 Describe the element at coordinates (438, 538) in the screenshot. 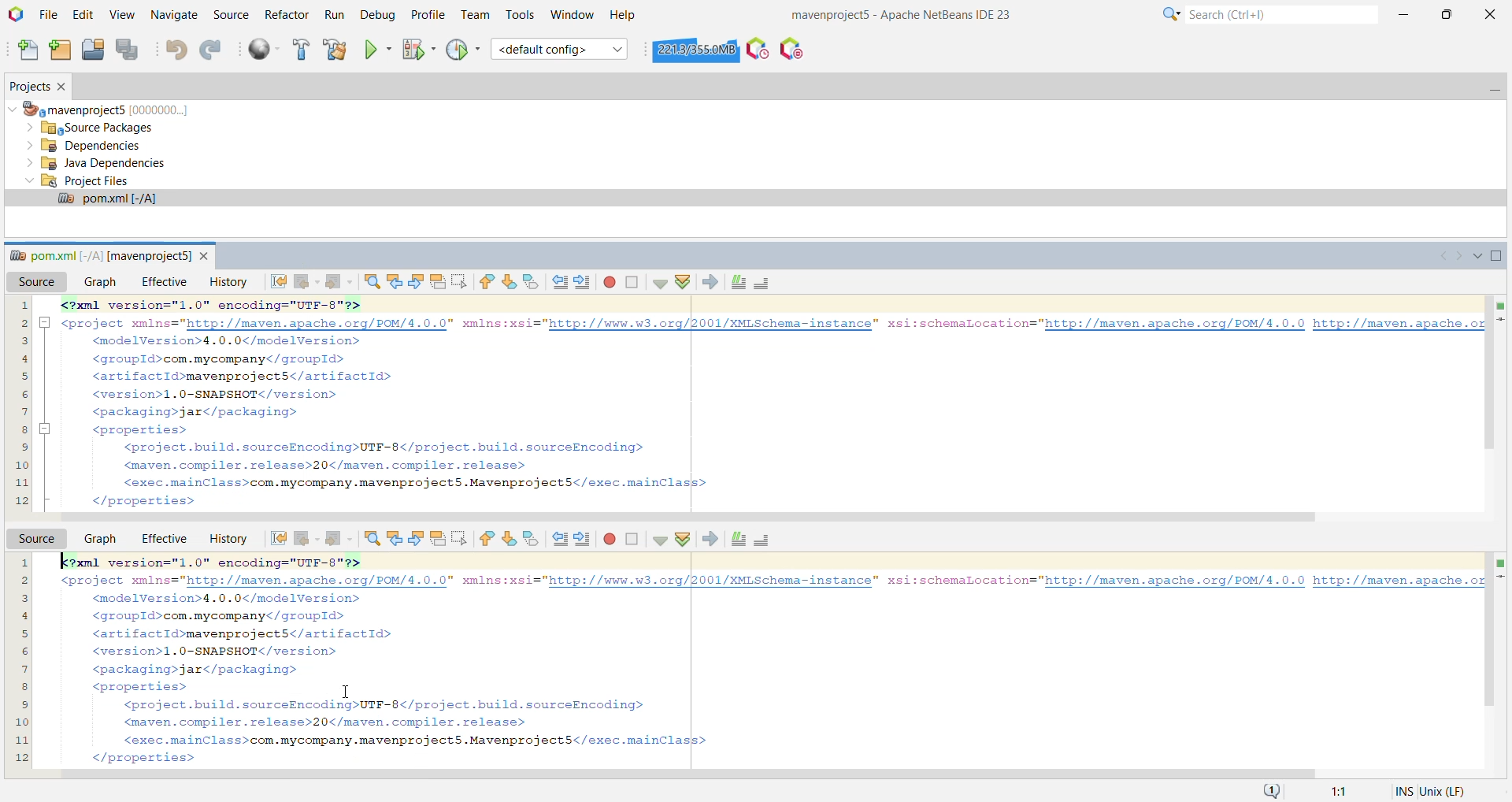

I see `Toggle Highlight Search` at that location.